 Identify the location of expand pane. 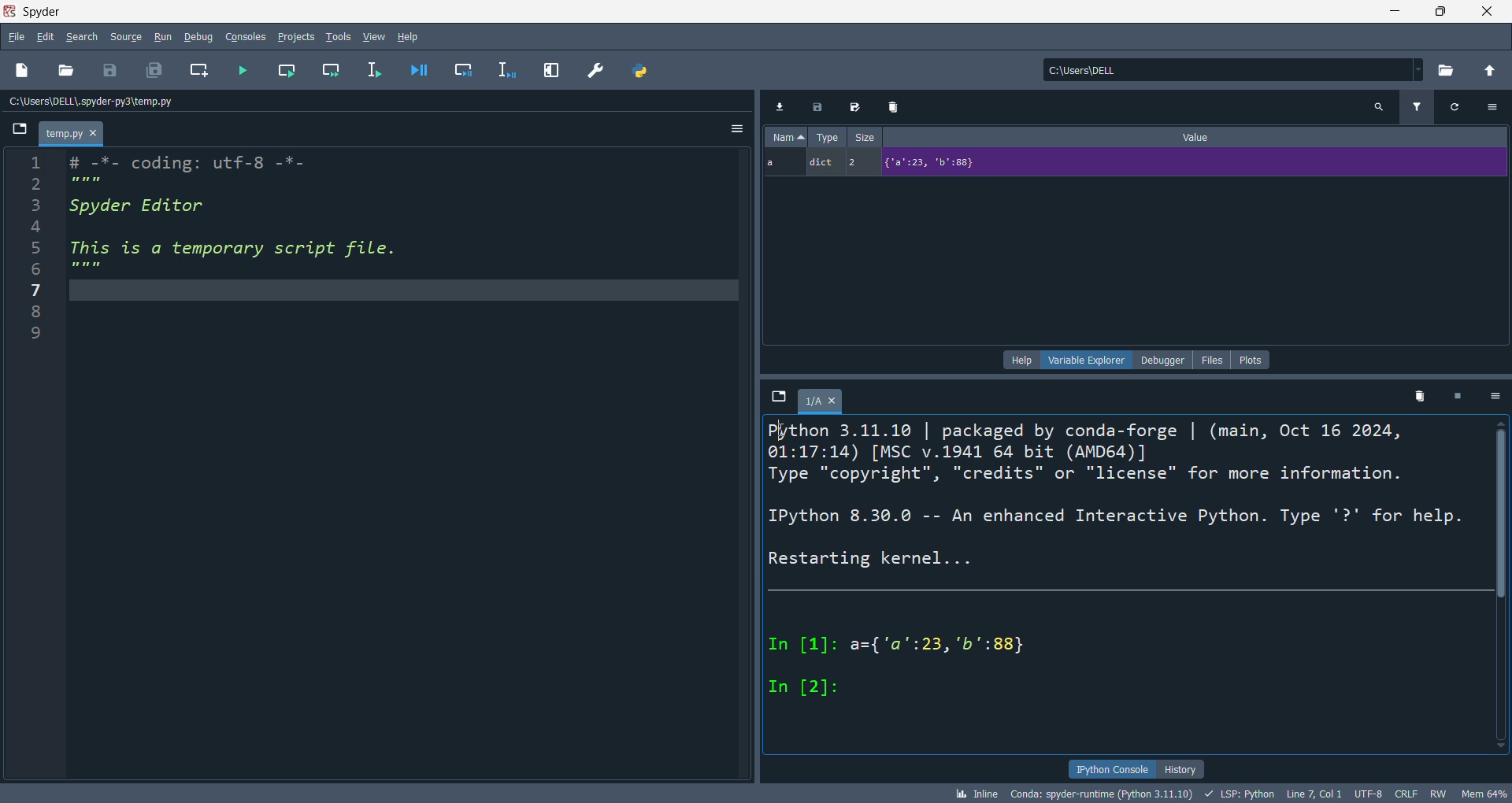
(553, 71).